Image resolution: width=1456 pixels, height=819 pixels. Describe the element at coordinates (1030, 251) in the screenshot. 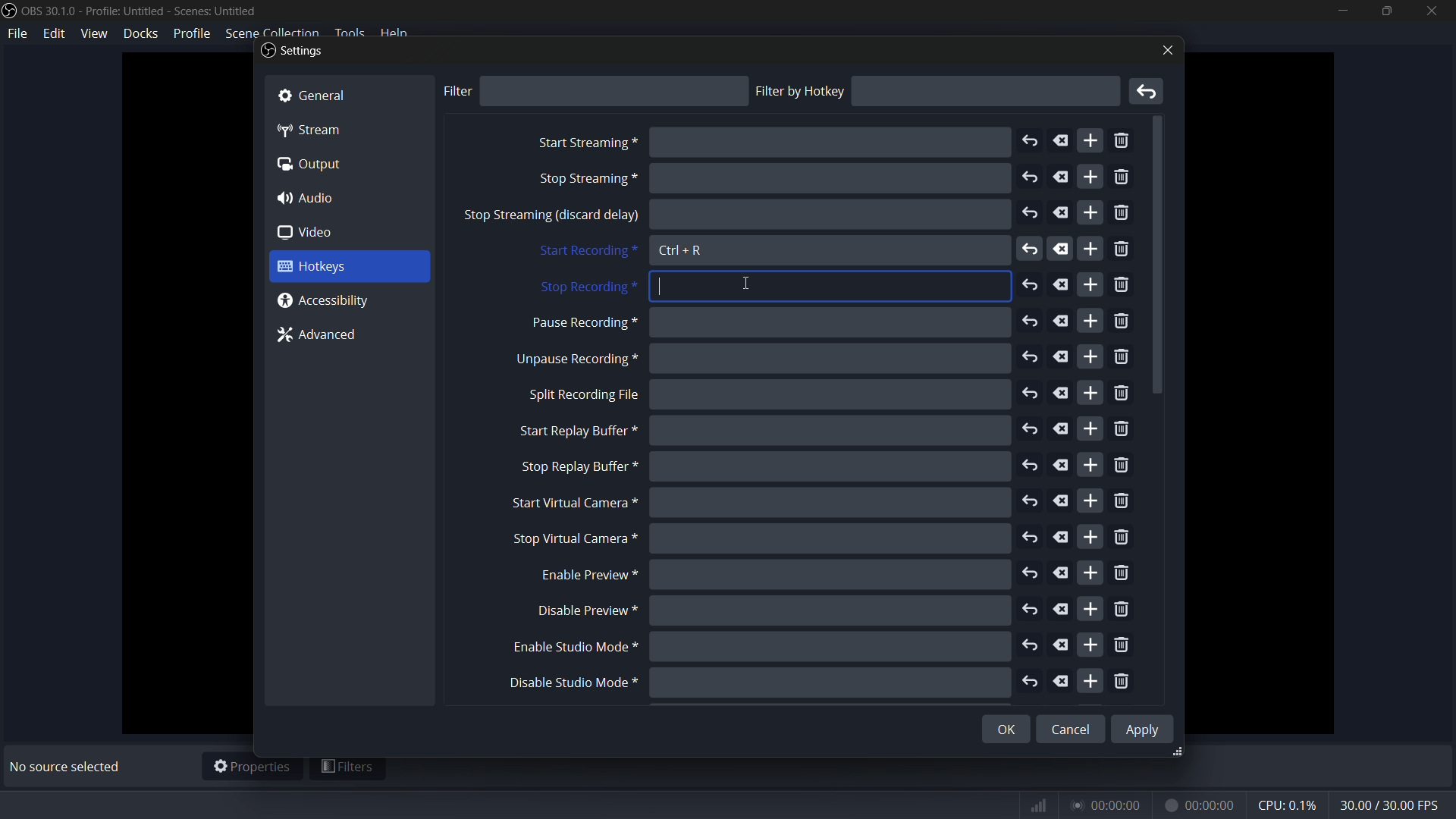

I see `undo` at that location.